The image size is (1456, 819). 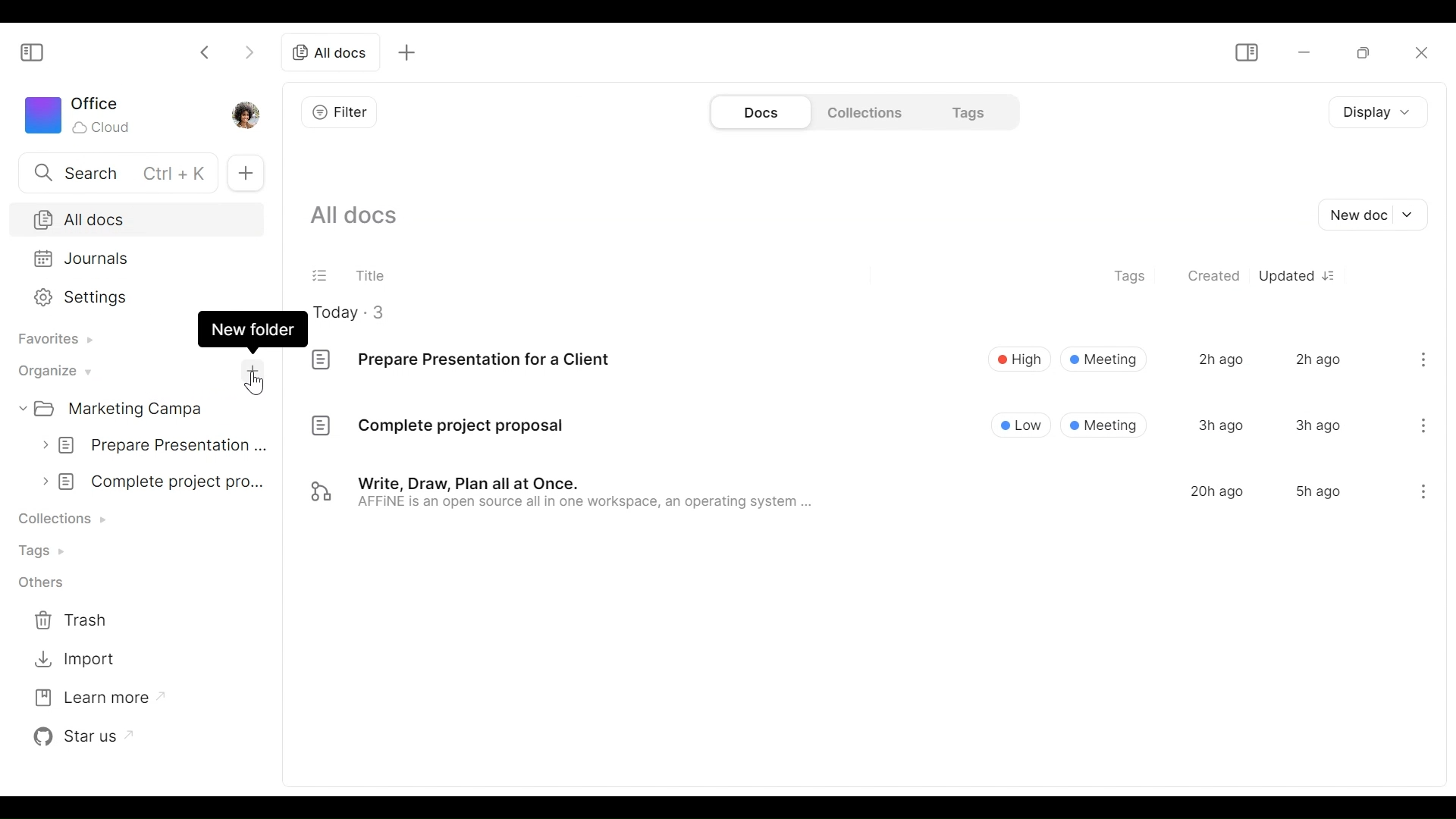 What do you see at coordinates (1422, 55) in the screenshot?
I see `Close` at bounding box center [1422, 55].